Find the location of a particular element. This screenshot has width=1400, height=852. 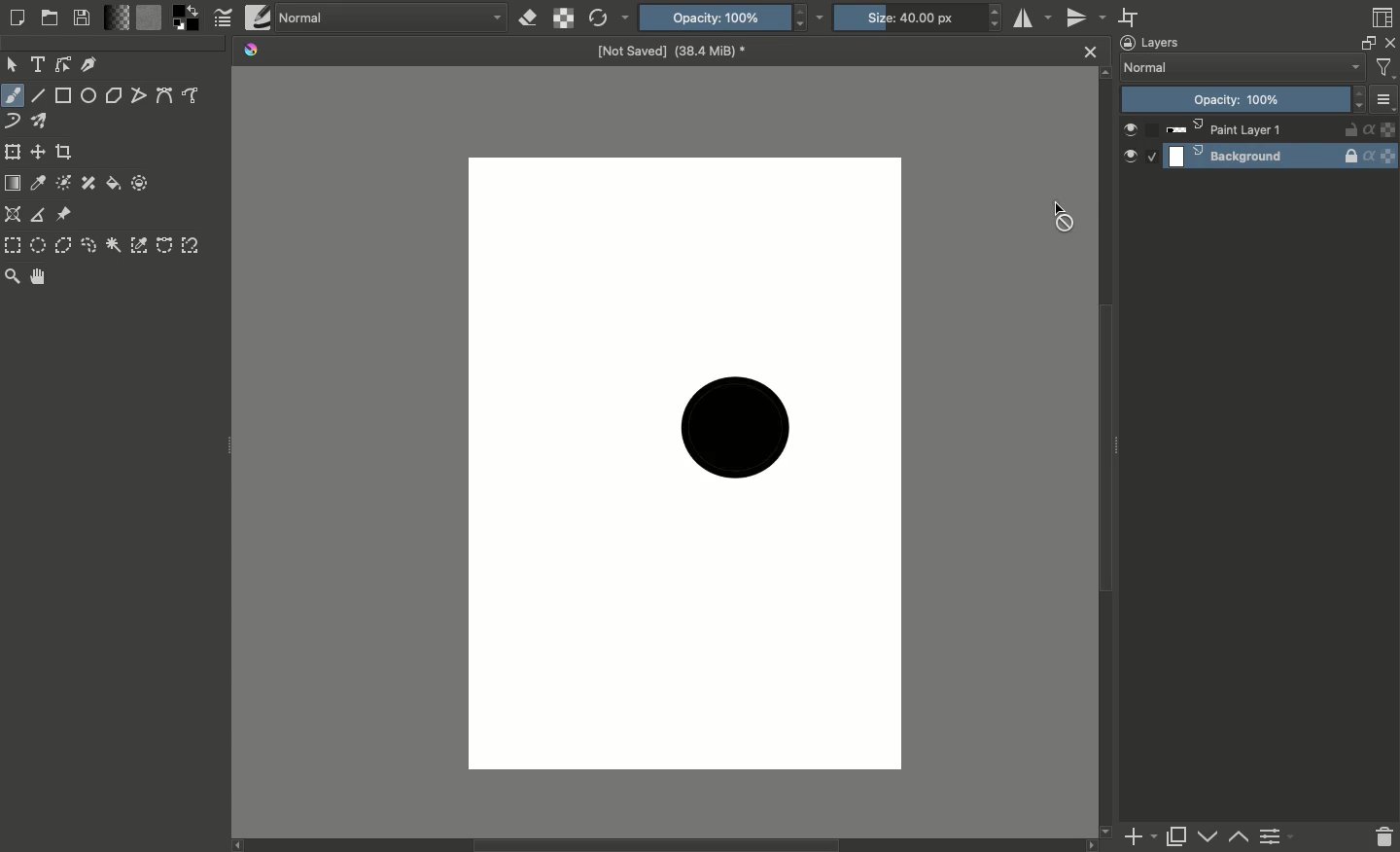

Measure the distance is located at coordinates (40, 216).